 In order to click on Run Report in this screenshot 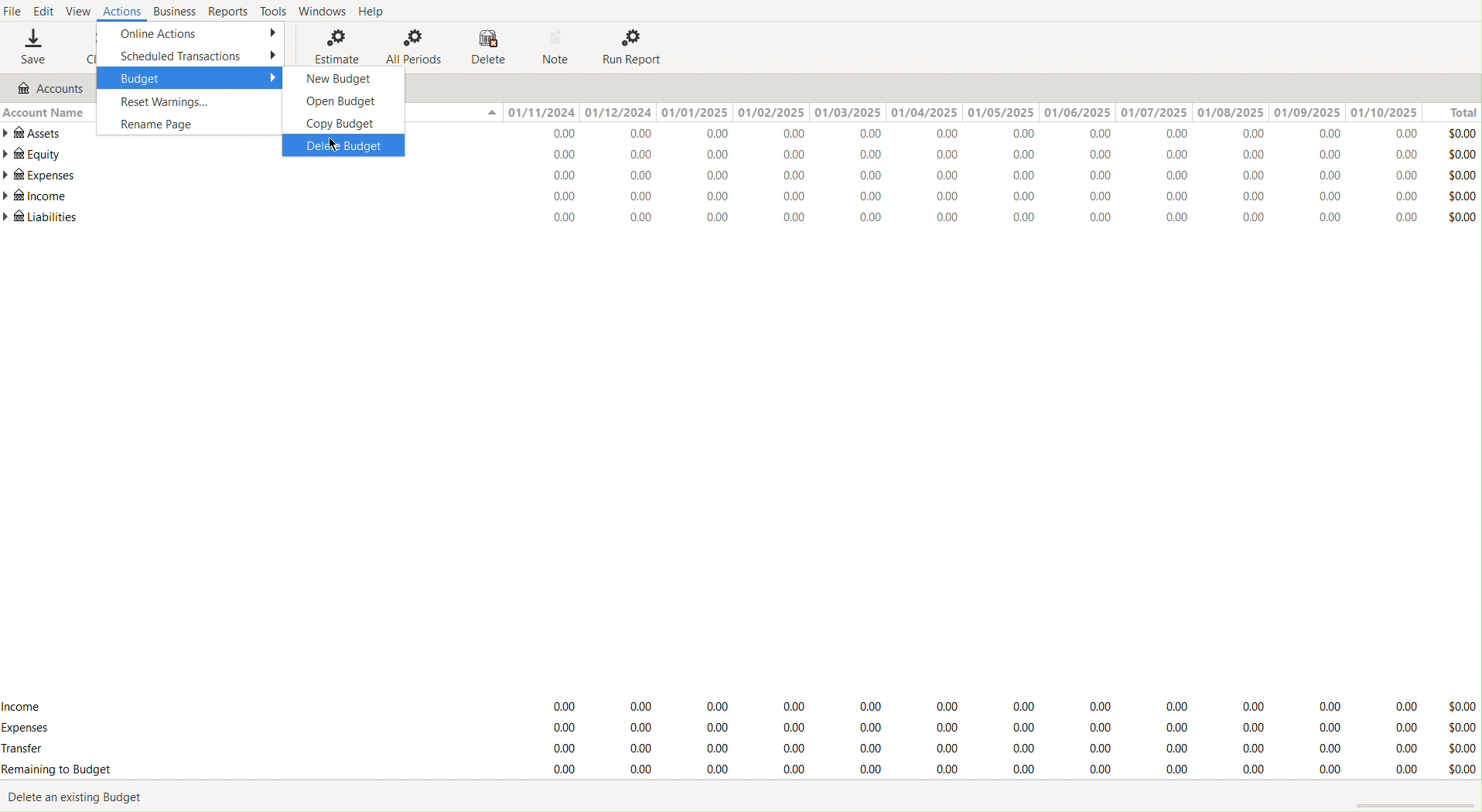, I will do `click(637, 47)`.